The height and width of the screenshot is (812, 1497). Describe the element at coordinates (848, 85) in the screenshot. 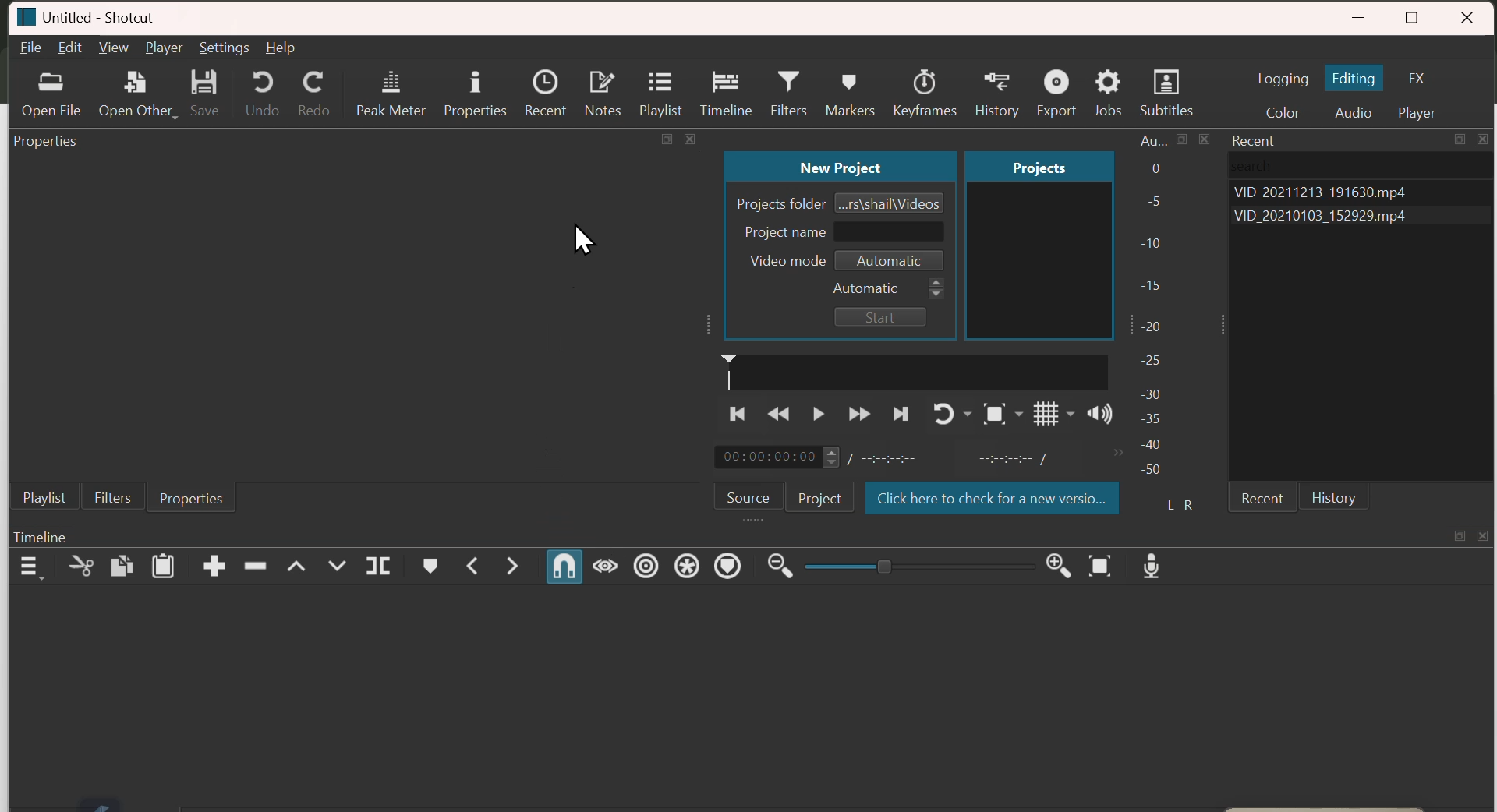

I see `Markers` at that location.